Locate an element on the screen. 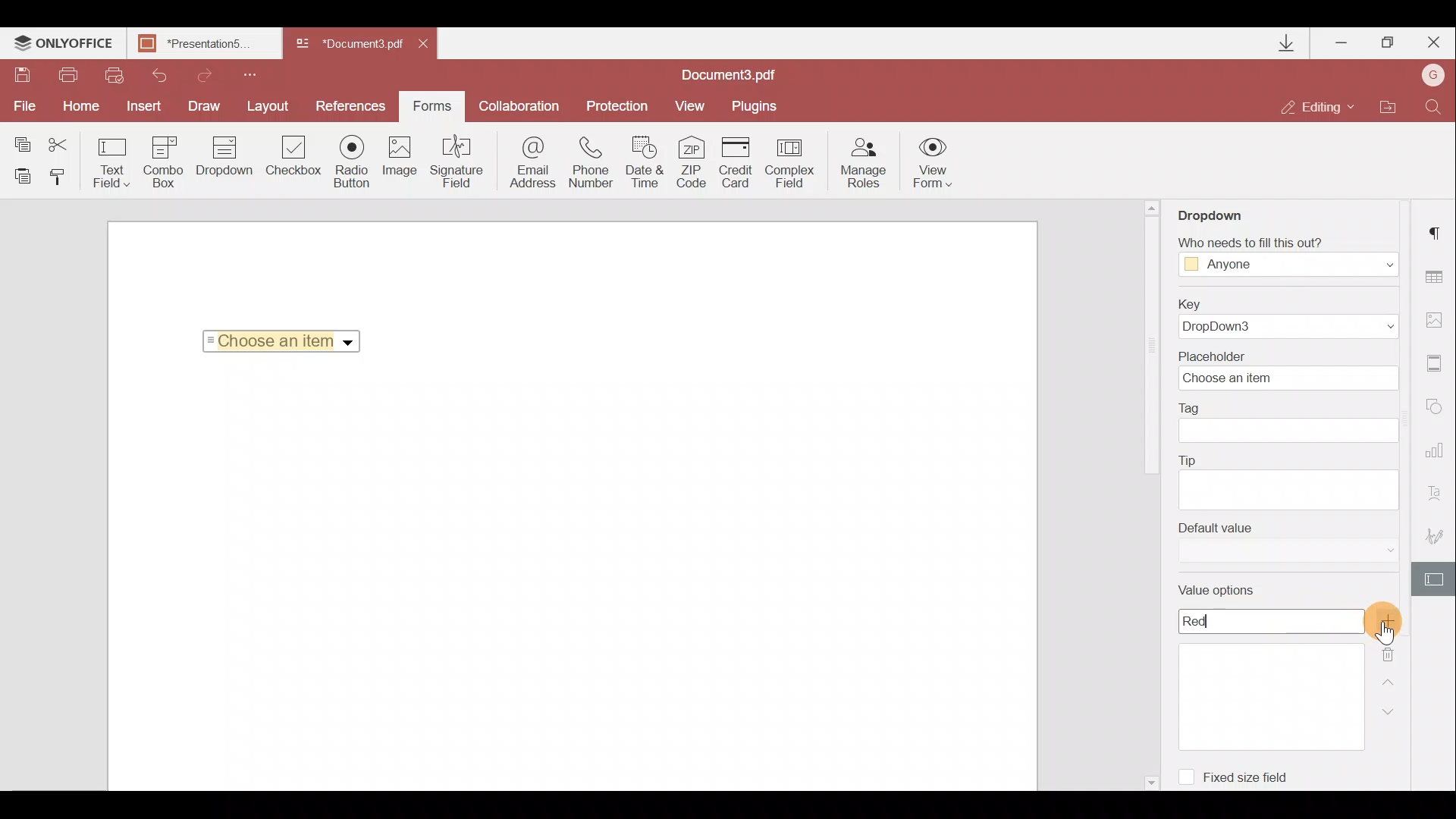  Text field is located at coordinates (109, 162).